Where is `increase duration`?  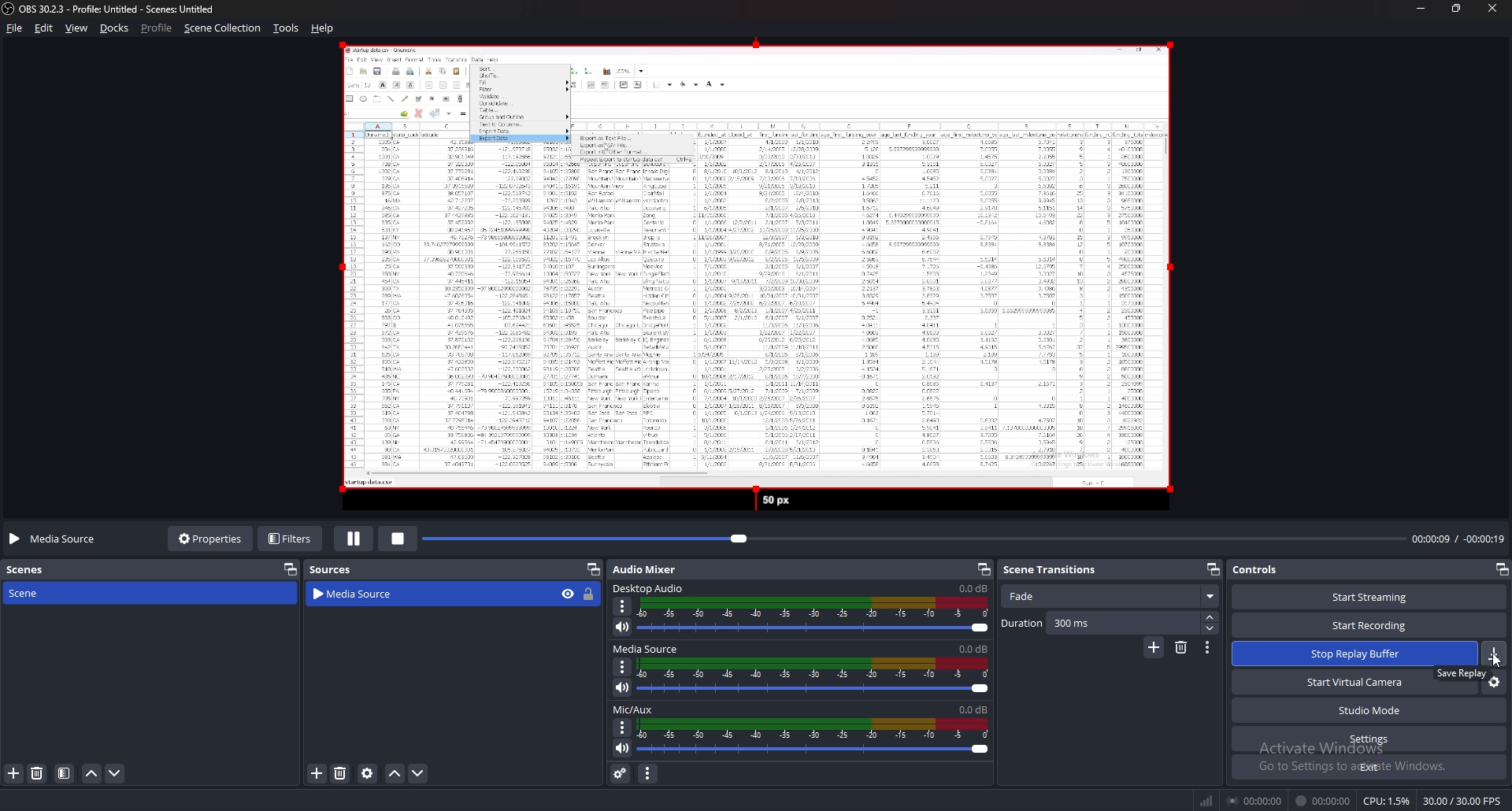 increase duration is located at coordinates (1212, 617).